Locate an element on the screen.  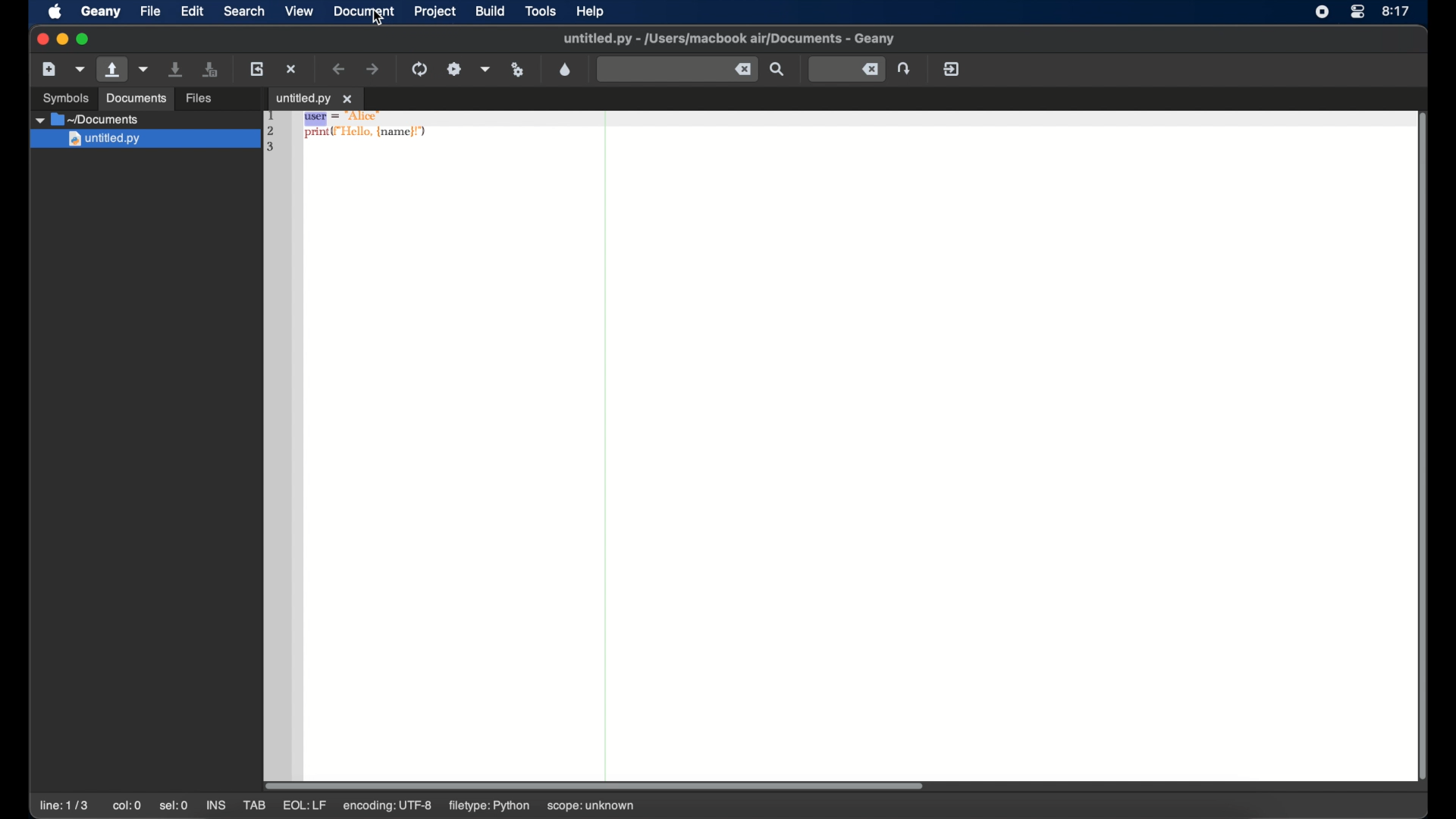
tab is located at coordinates (253, 805).